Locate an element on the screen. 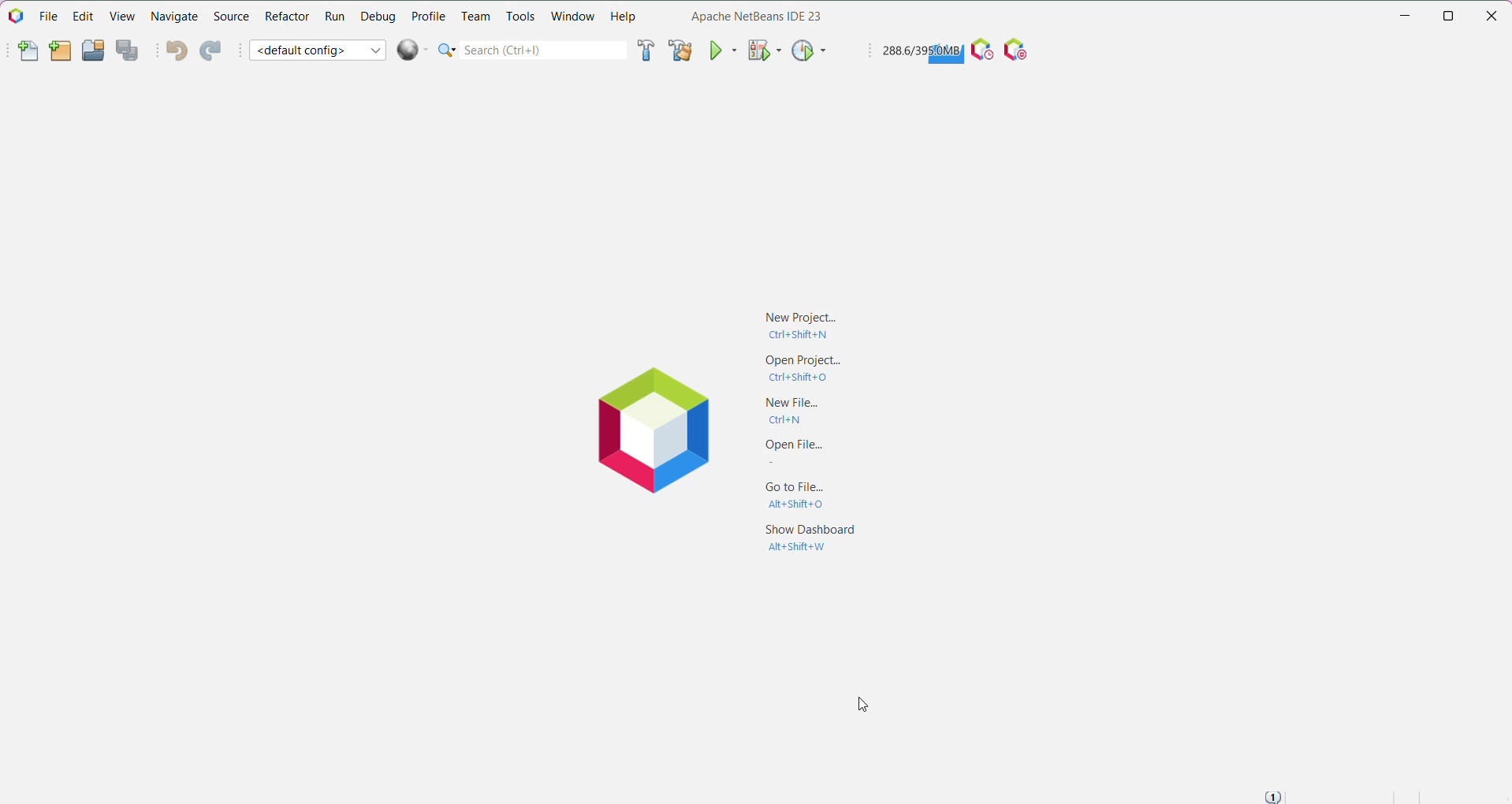 The width and height of the screenshot is (1512, 804). Application Logo is located at coordinates (14, 17).